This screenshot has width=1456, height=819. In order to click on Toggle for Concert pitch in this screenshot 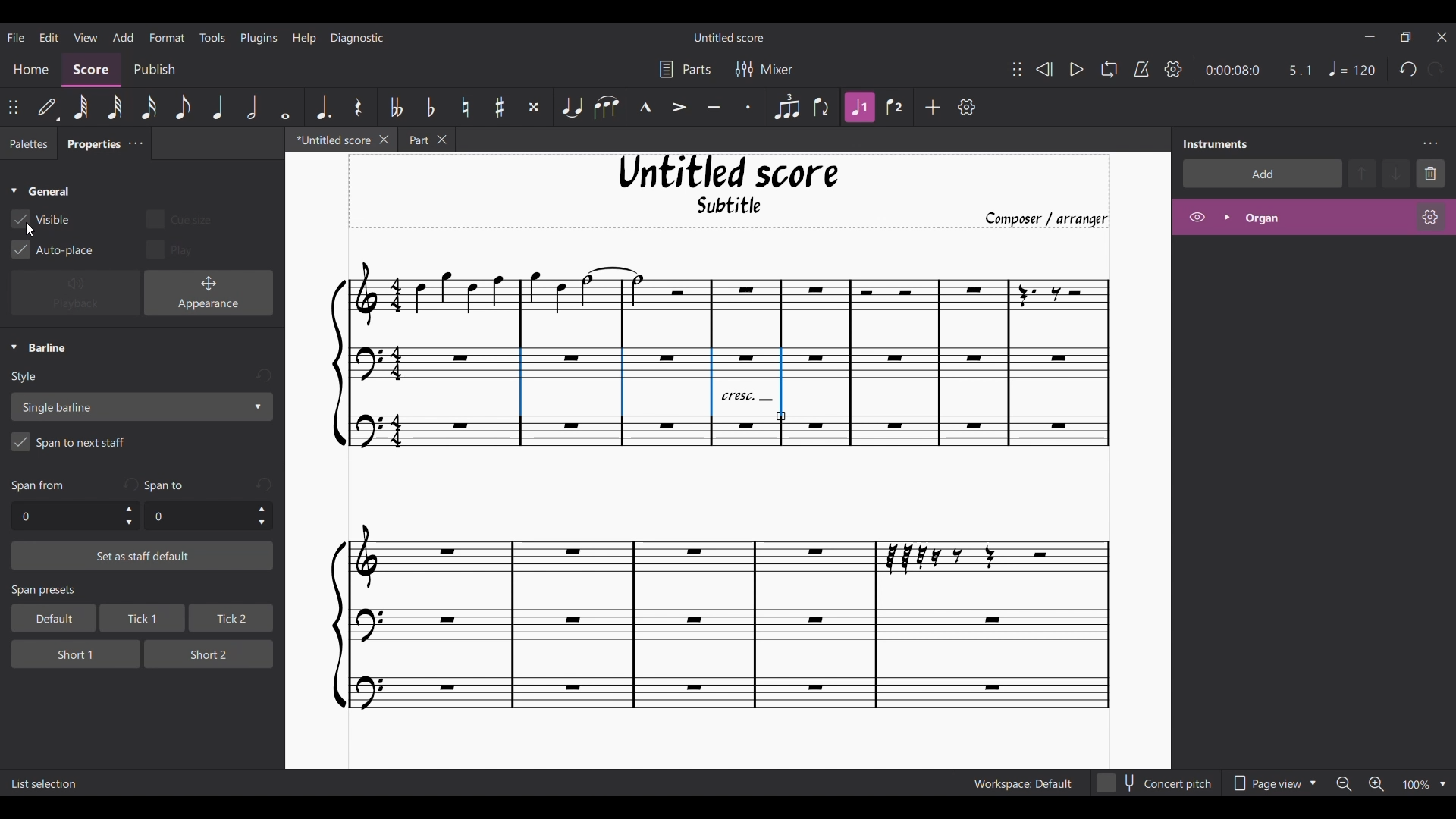, I will do `click(1155, 783)`.